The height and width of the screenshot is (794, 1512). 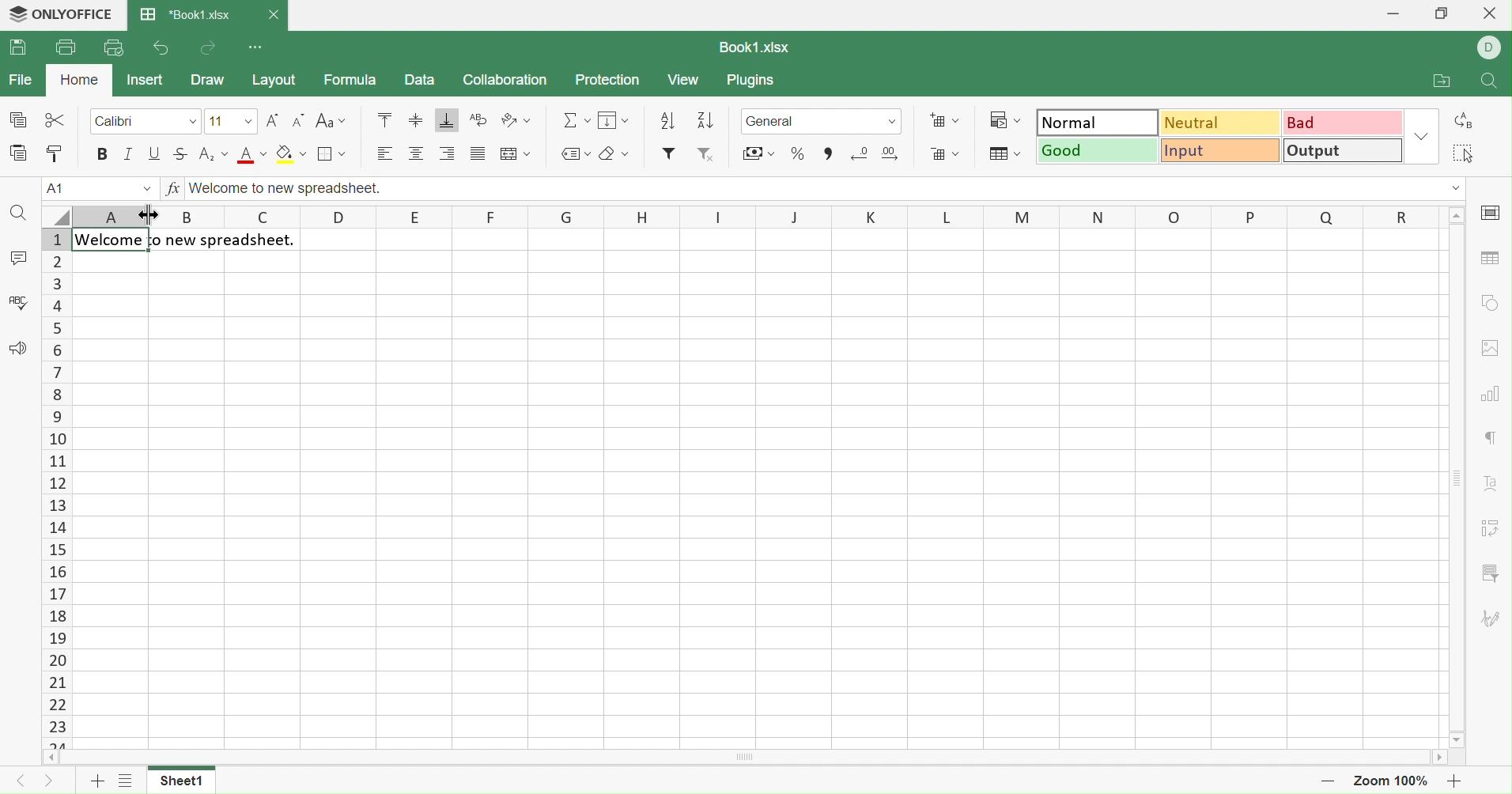 What do you see at coordinates (148, 79) in the screenshot?
I see `Insert` at bounding box center [148, 79].